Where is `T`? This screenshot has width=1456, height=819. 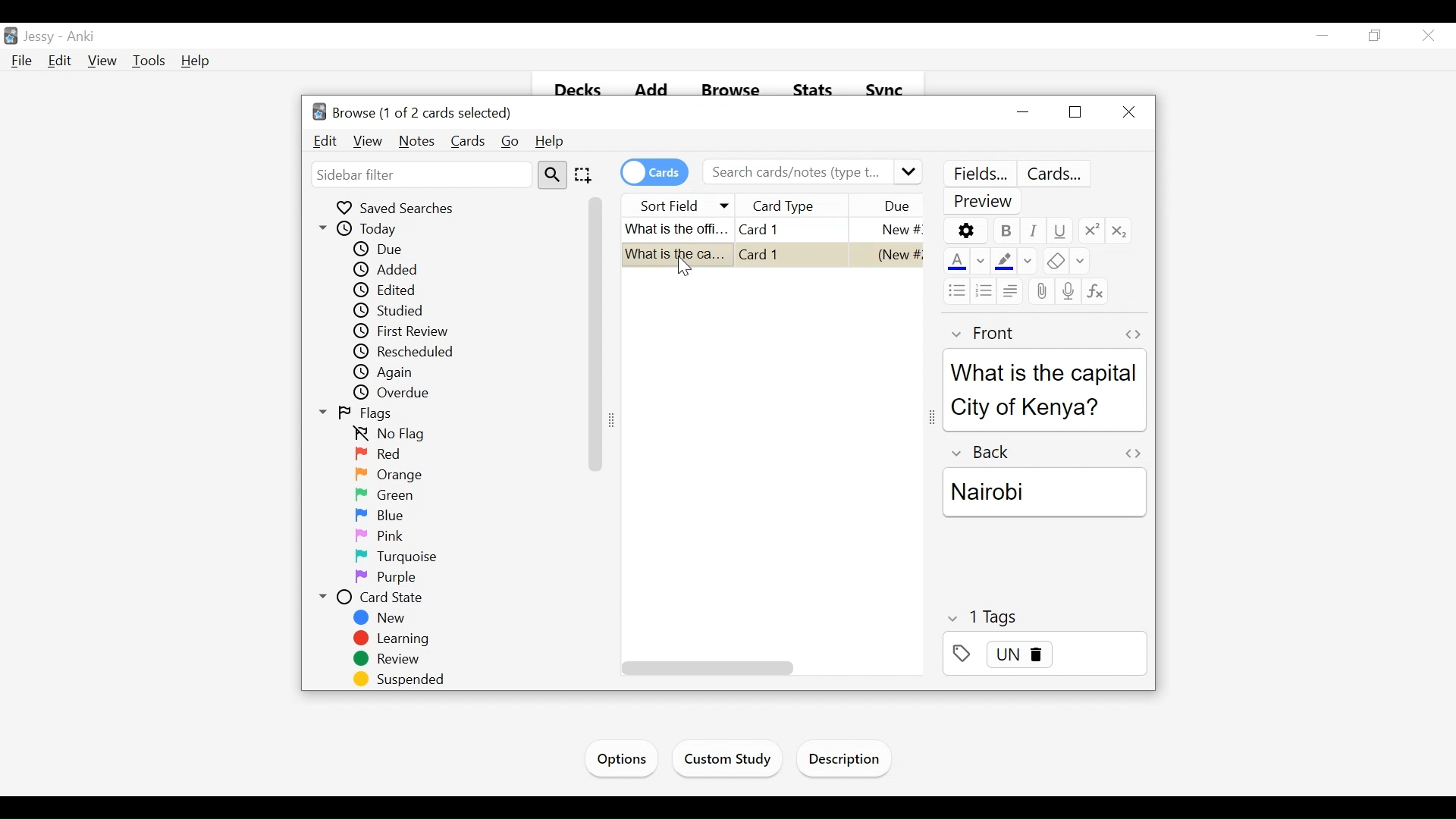
T is located at coordinates (1045, 617).